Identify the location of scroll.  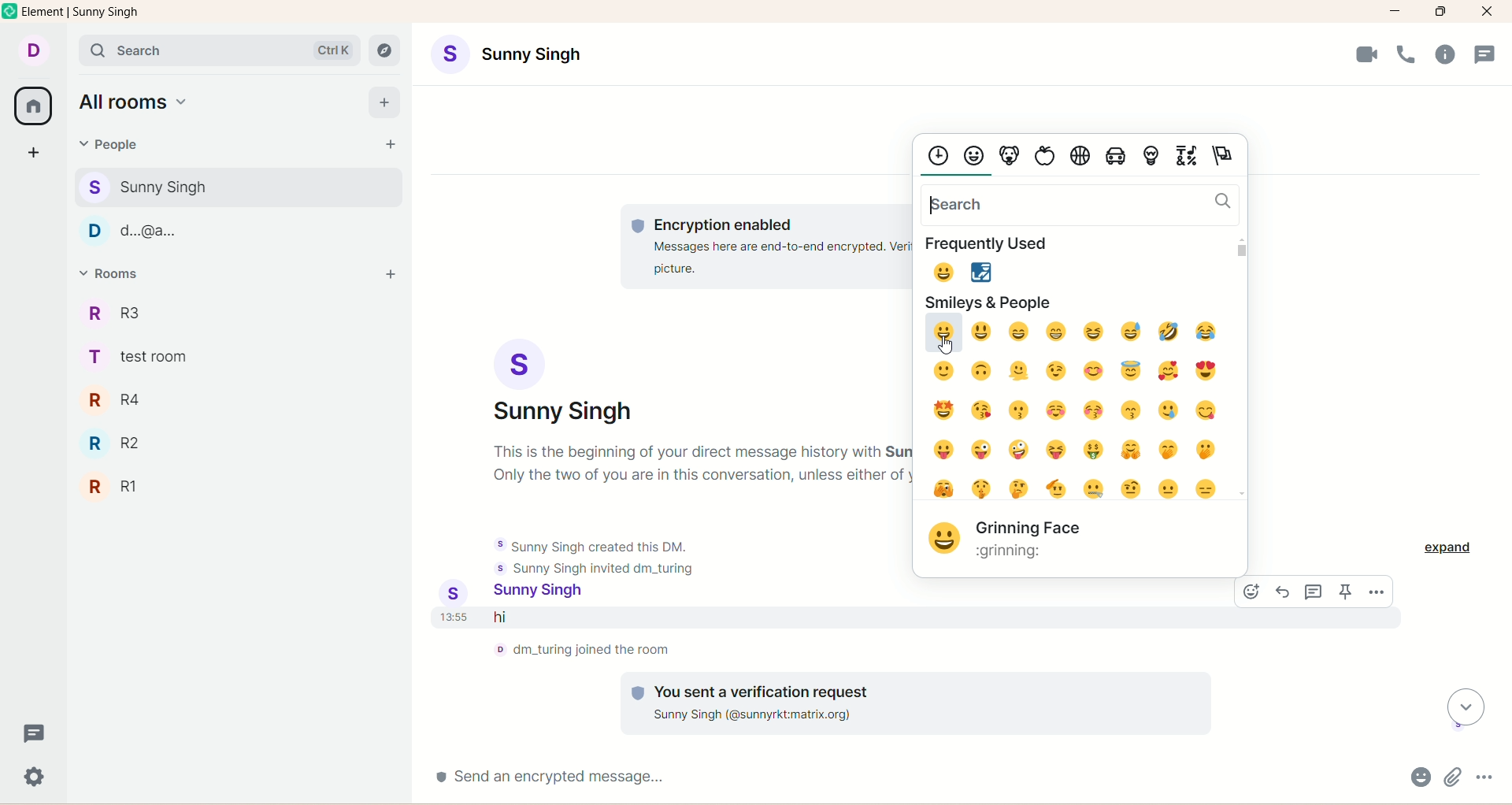
(1466, 707).